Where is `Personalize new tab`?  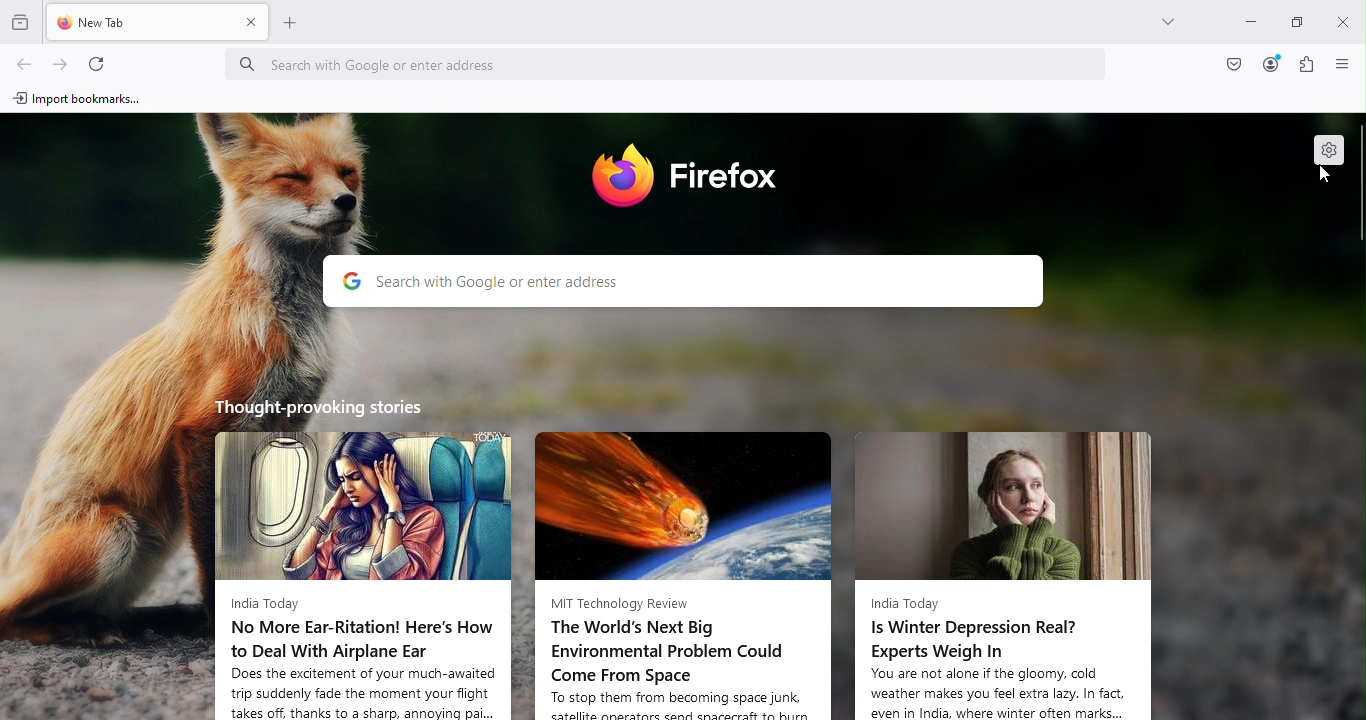
Personalize new tab is located at coordinates (1327, 147).